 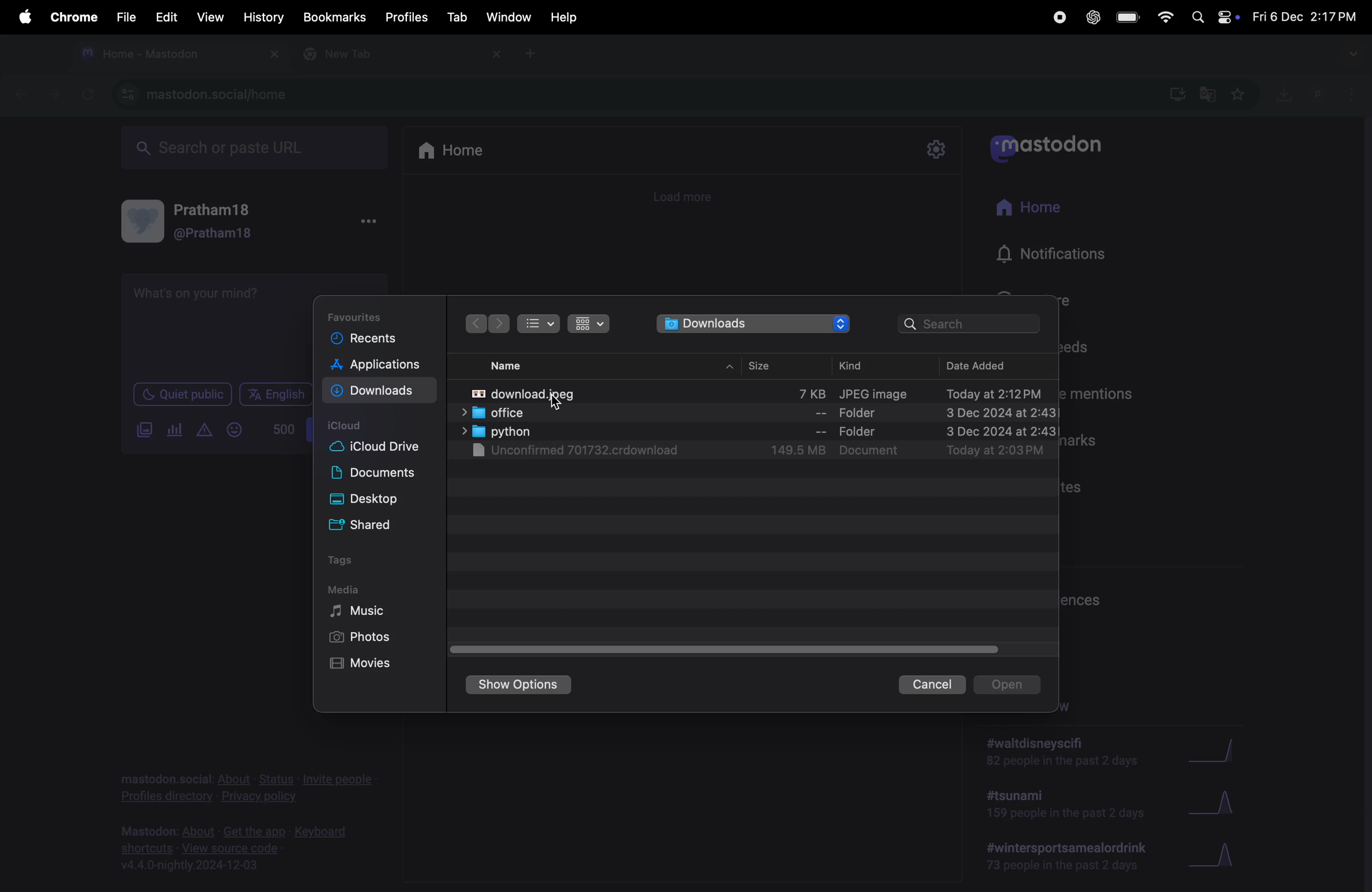 I want to click on opens, so click(x=1009, y=685).